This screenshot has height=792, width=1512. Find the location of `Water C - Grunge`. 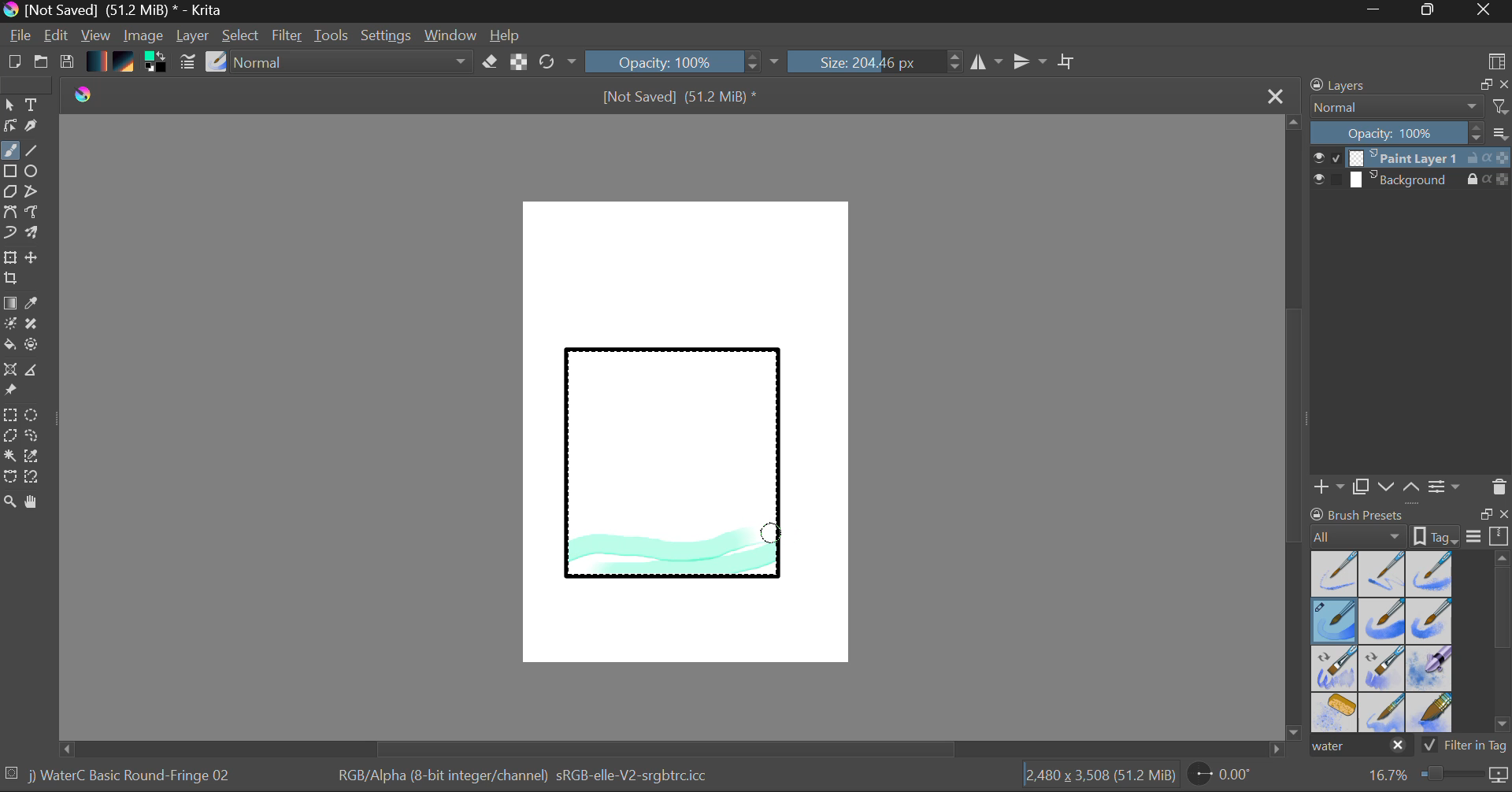

Water C - Grunge is located at coordinates (1430, 621).